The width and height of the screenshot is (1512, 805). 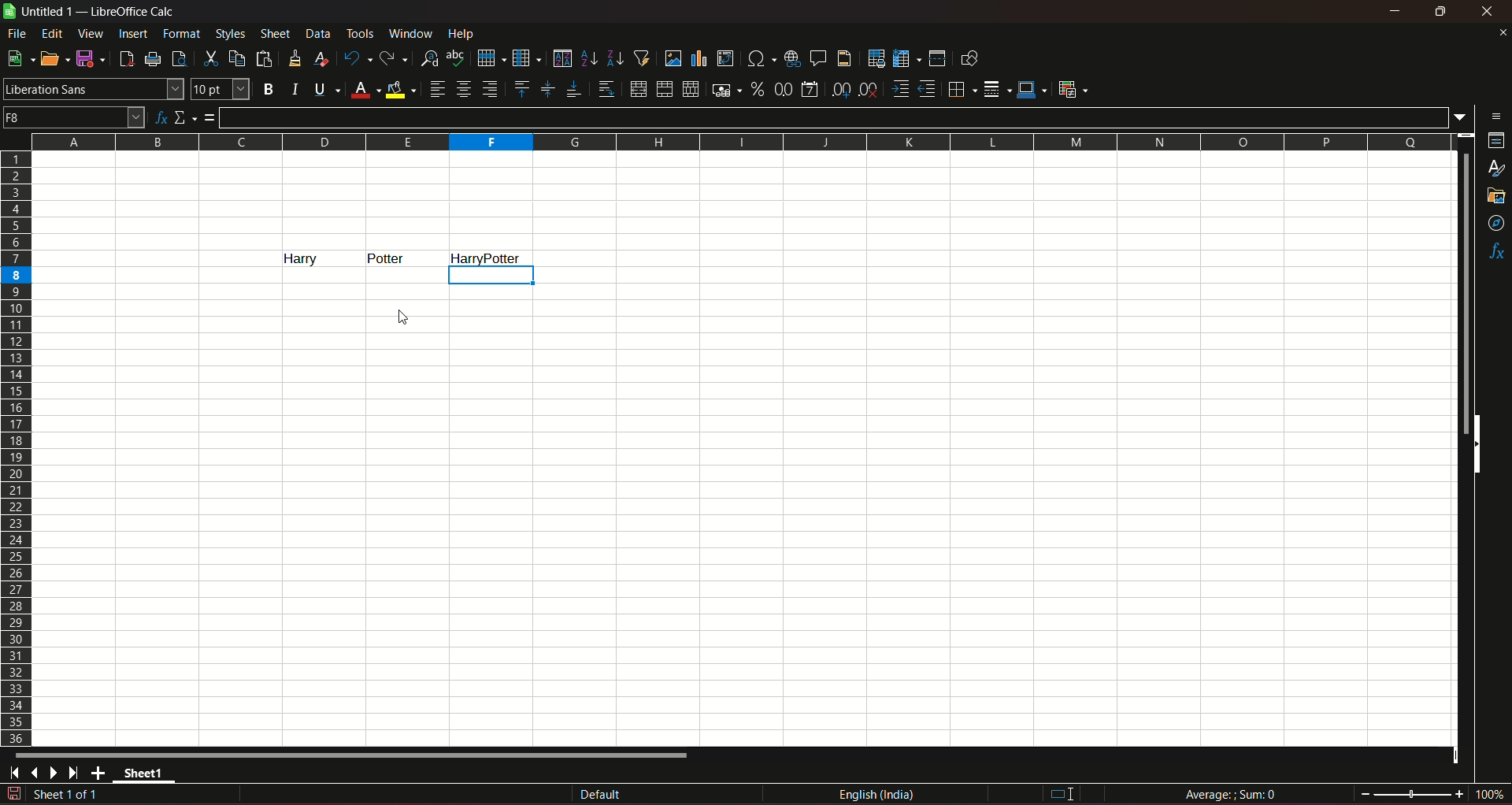 What do you see at coordinates (937, 58) in the screenshot?
I see `split window` at bounding box center [937, 58].